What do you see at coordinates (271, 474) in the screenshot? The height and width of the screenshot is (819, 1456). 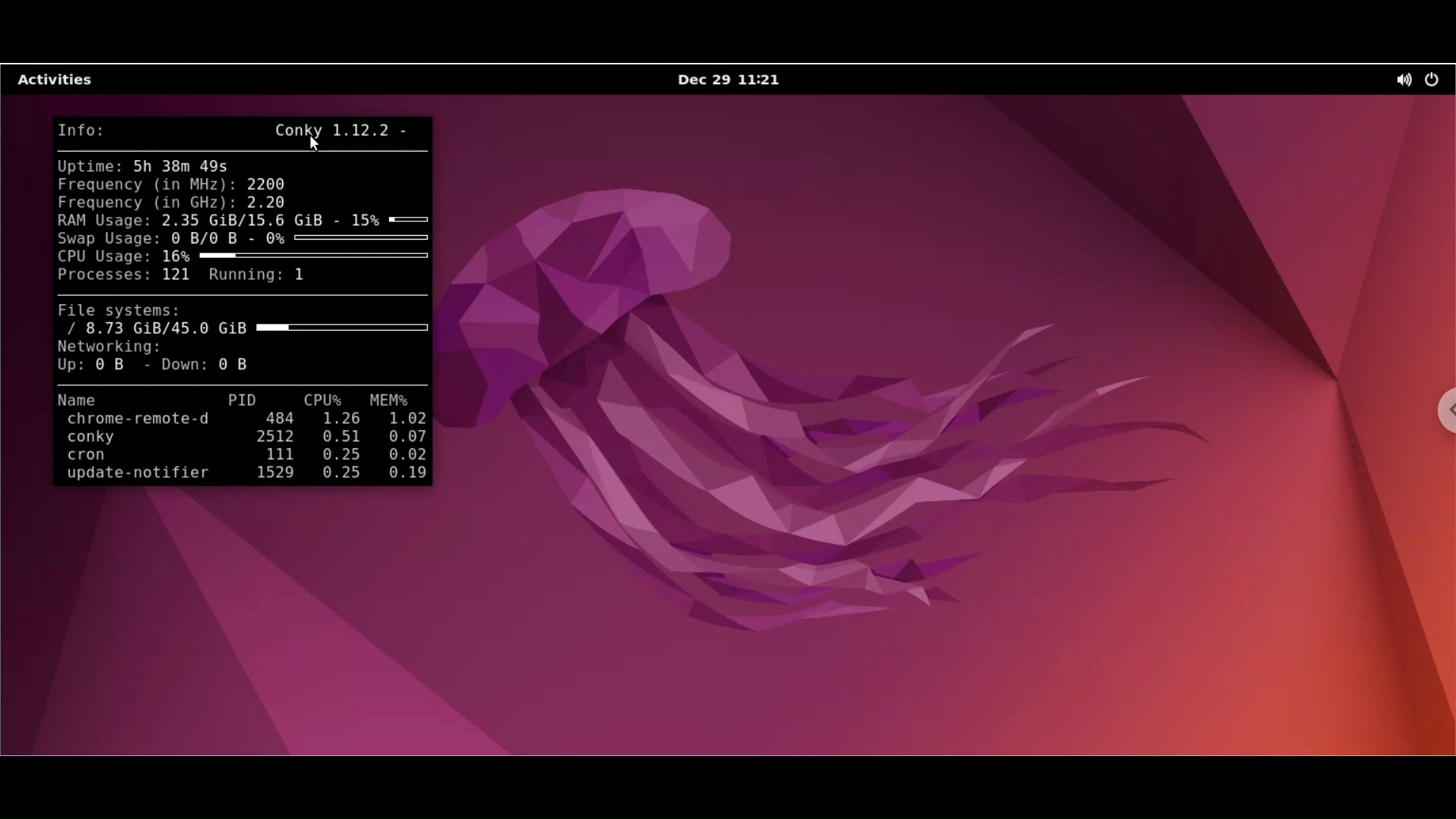 I see `1529` at bounding box center [271, 474].